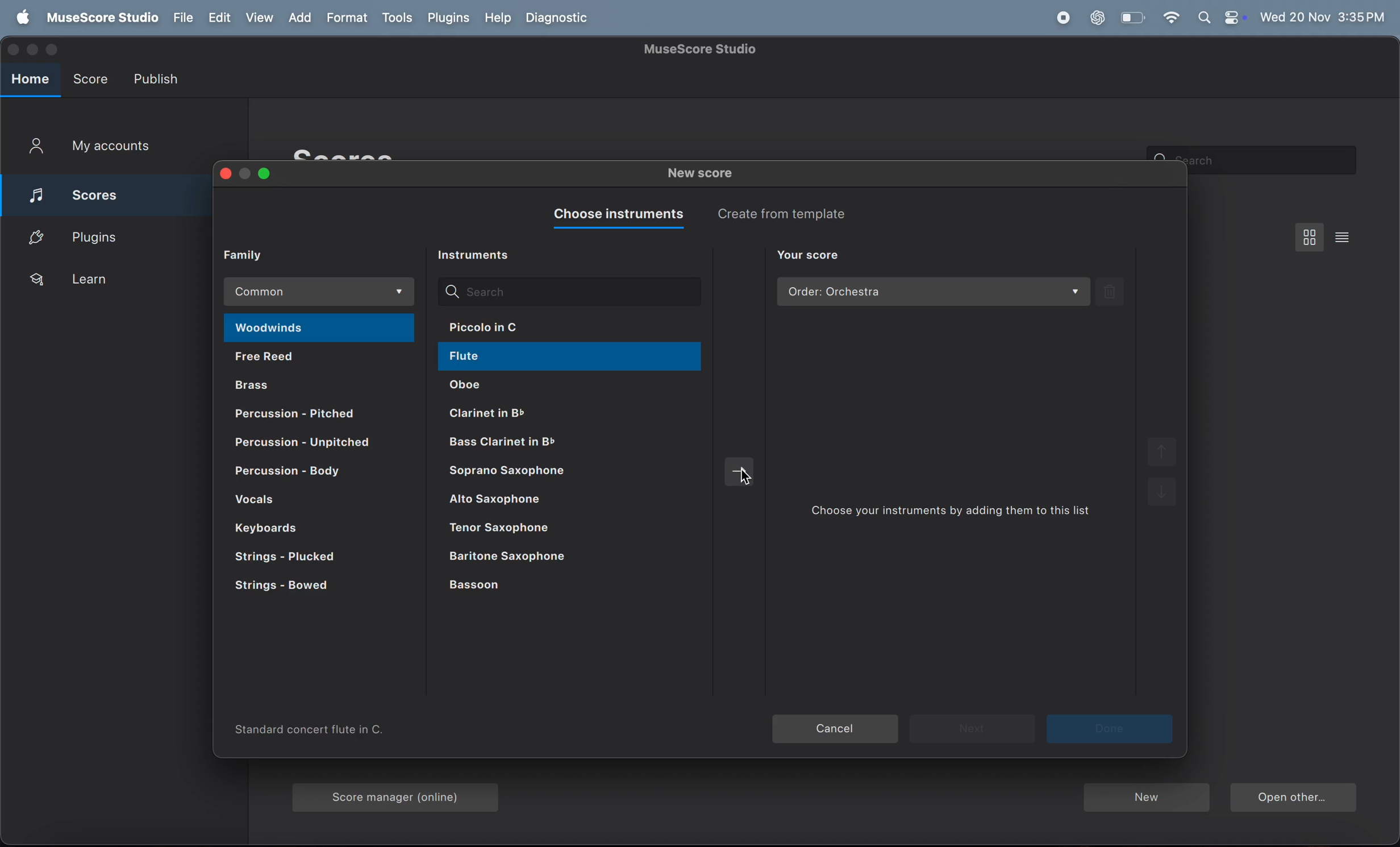 The height and width of the screenshot is (847, 1400). Describe the element at coordinates (218, 18) in the screenshot. I see `edit` at that location.